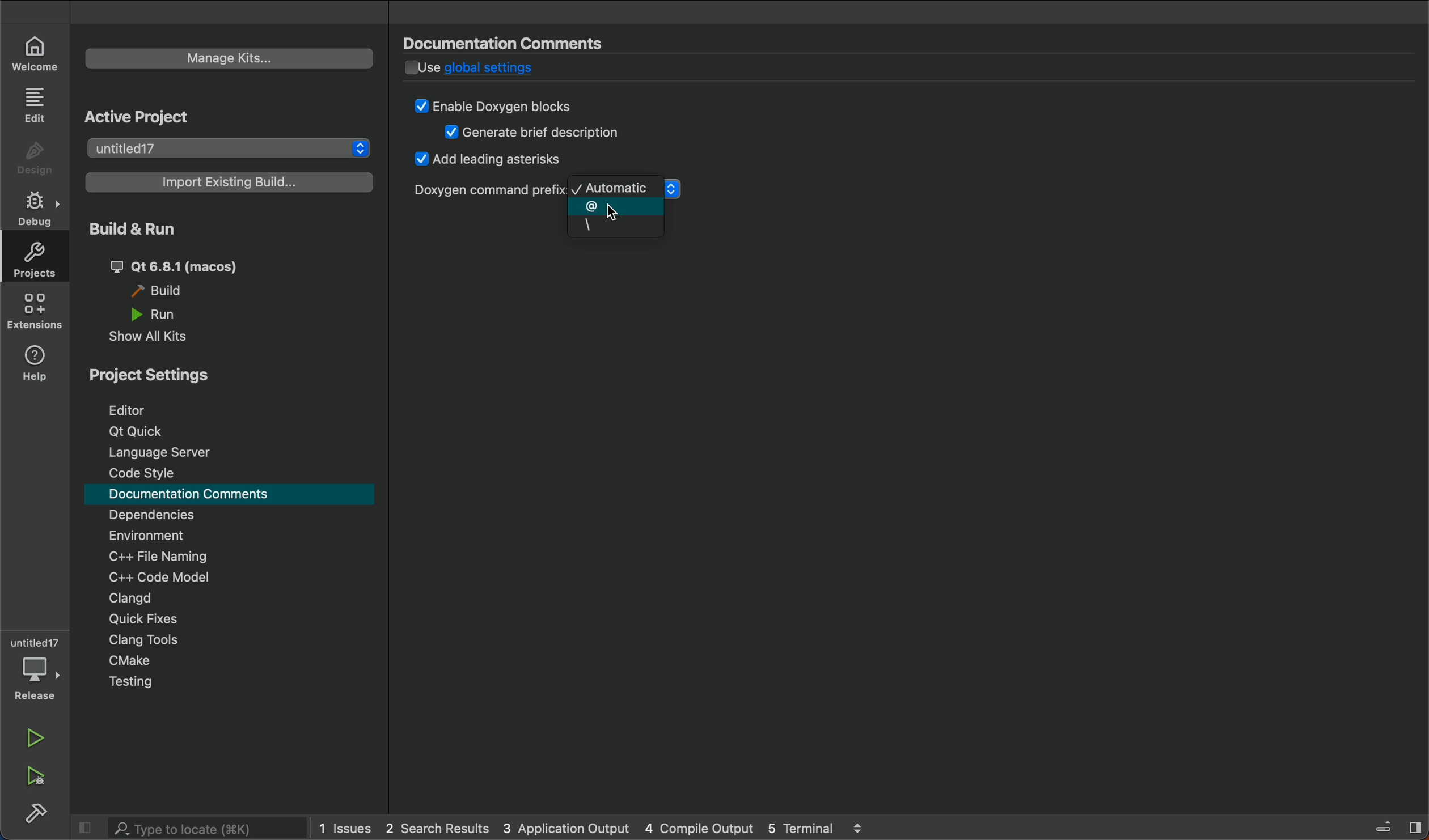  Describe the element at coordinates (505, 105) in the screenshot. I see `enable` at that location.